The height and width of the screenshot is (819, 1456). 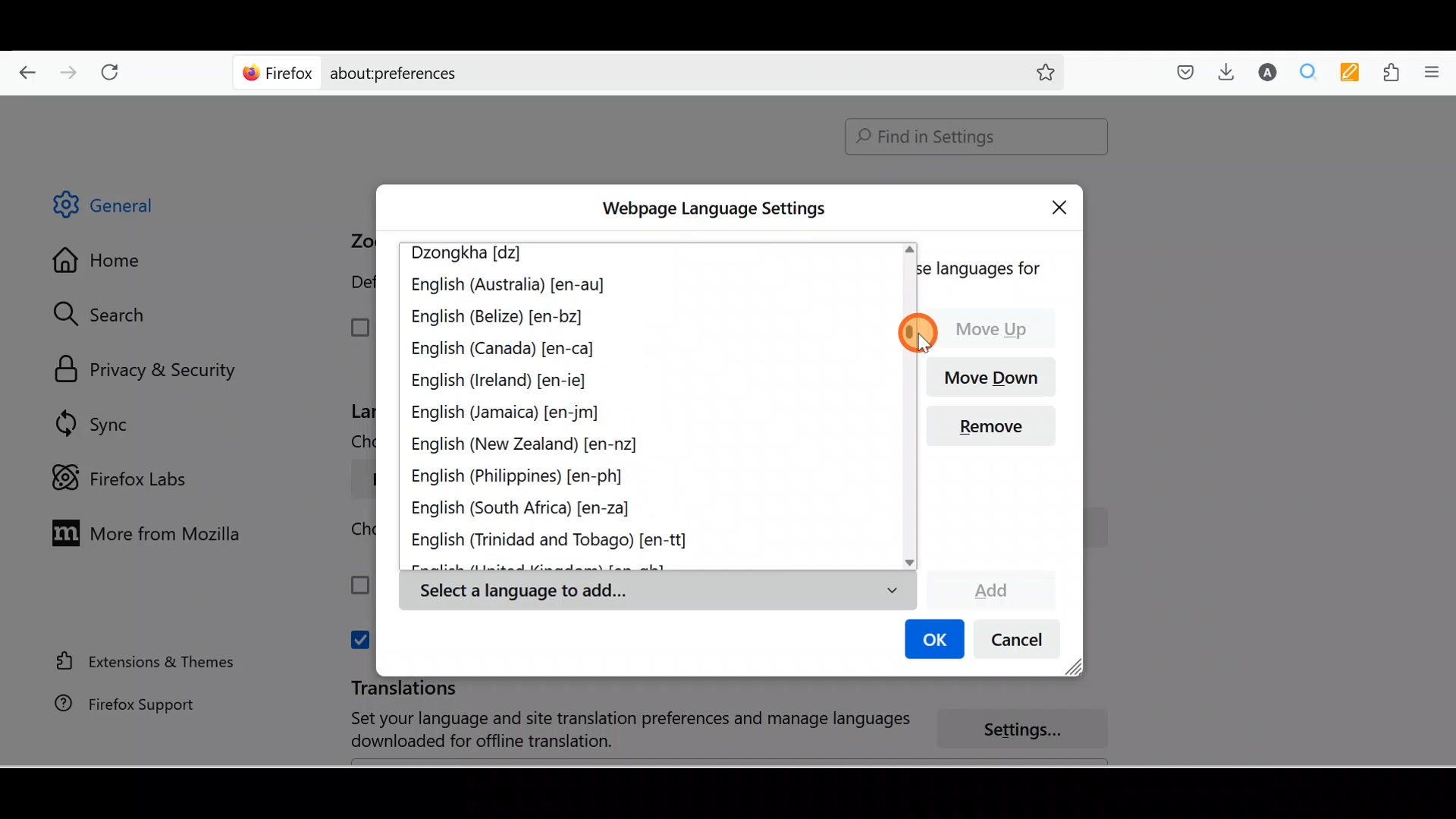 What do you see at coordinates (107, 314) in the screenshot?
I see `Search` at bounding box center [107, 314].